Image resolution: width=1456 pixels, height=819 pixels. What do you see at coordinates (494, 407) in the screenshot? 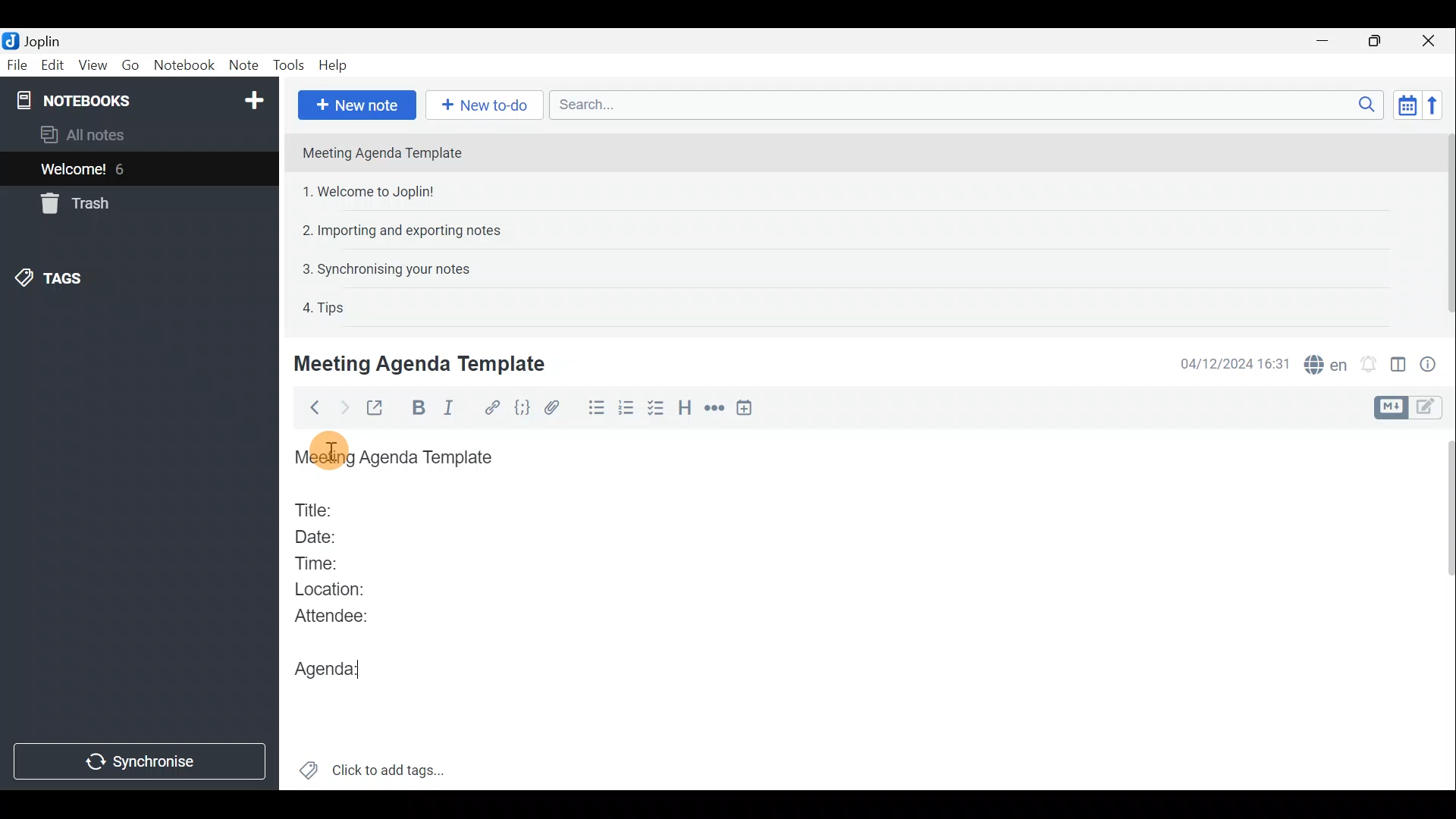
I see `Hyperlink` at bounding box center [494, 407].